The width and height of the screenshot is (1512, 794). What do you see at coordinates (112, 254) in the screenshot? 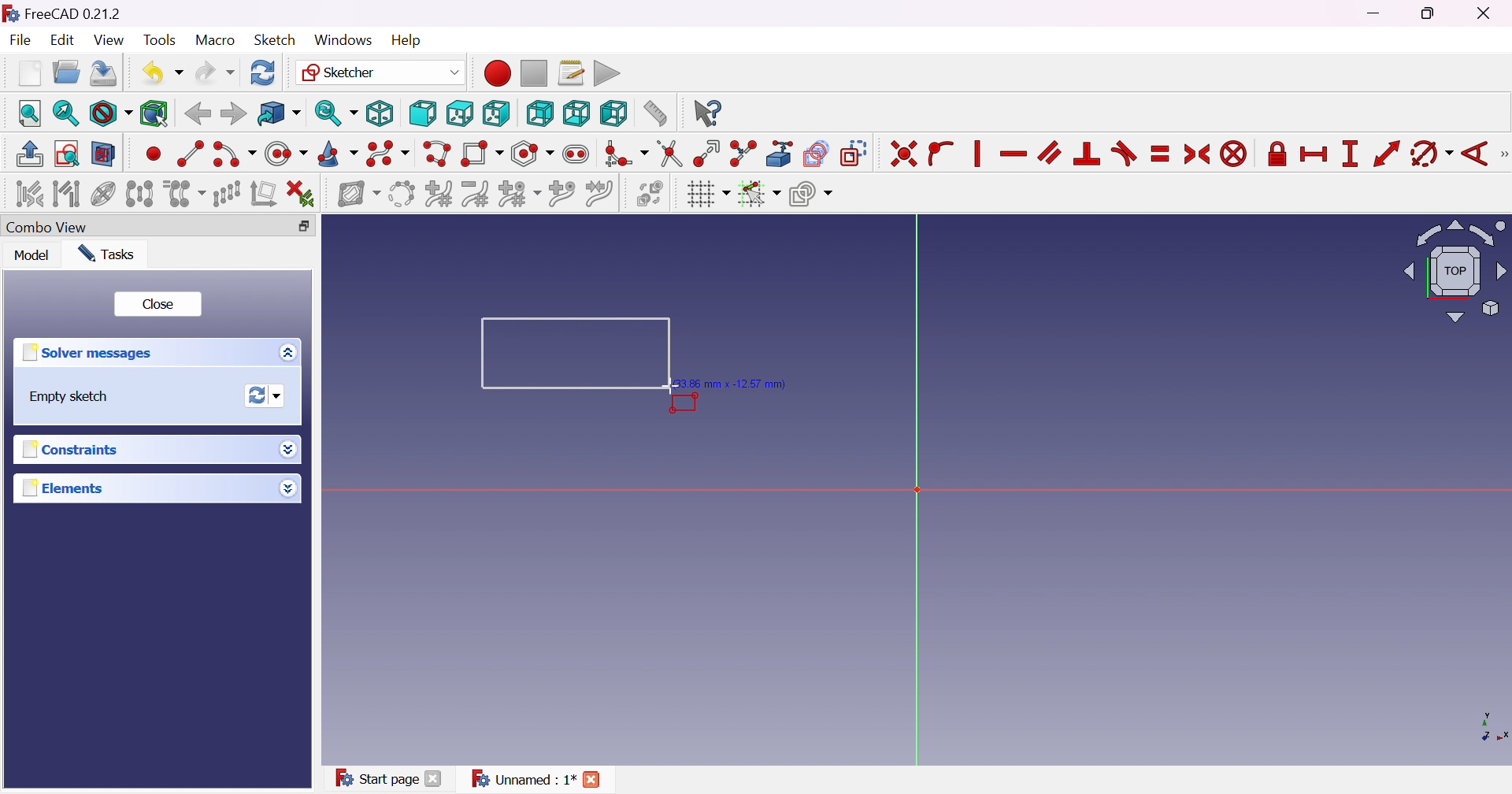
I see `Tasks` at bounding box center [112, 254].